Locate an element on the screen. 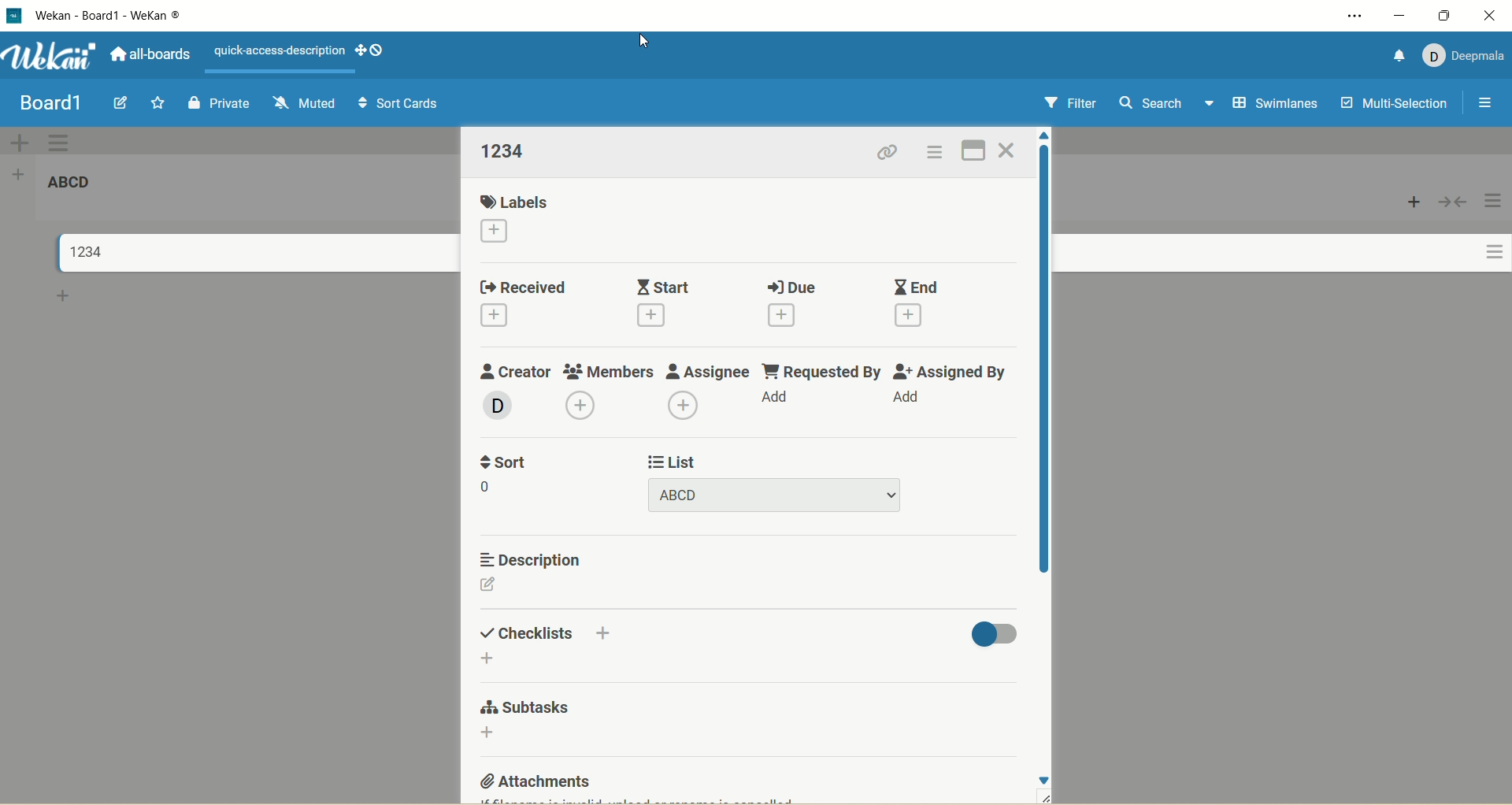 This screenshot has width=1512, height=805. favorite is located at coordinates (159, 102).